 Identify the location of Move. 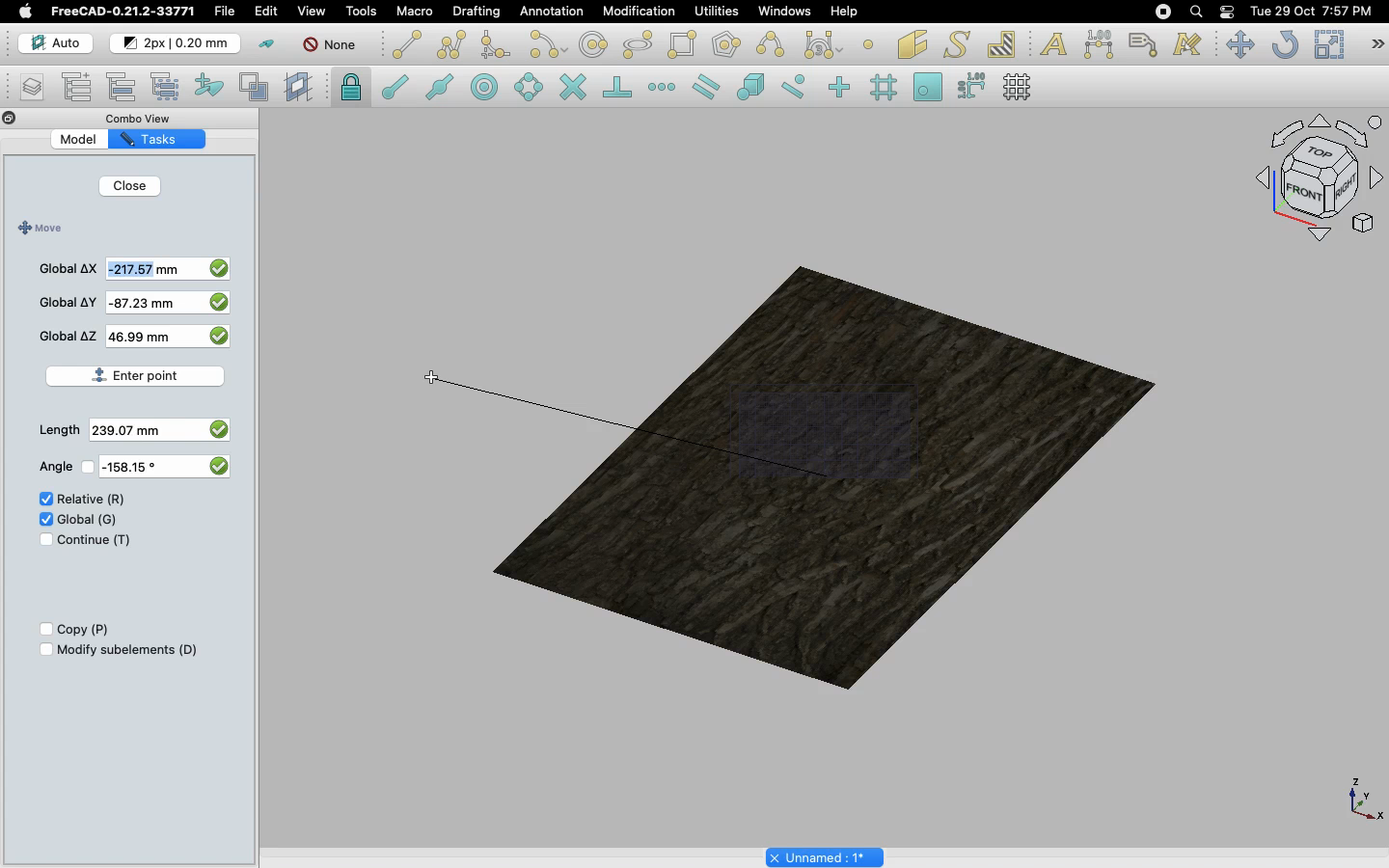
(1239, 44).